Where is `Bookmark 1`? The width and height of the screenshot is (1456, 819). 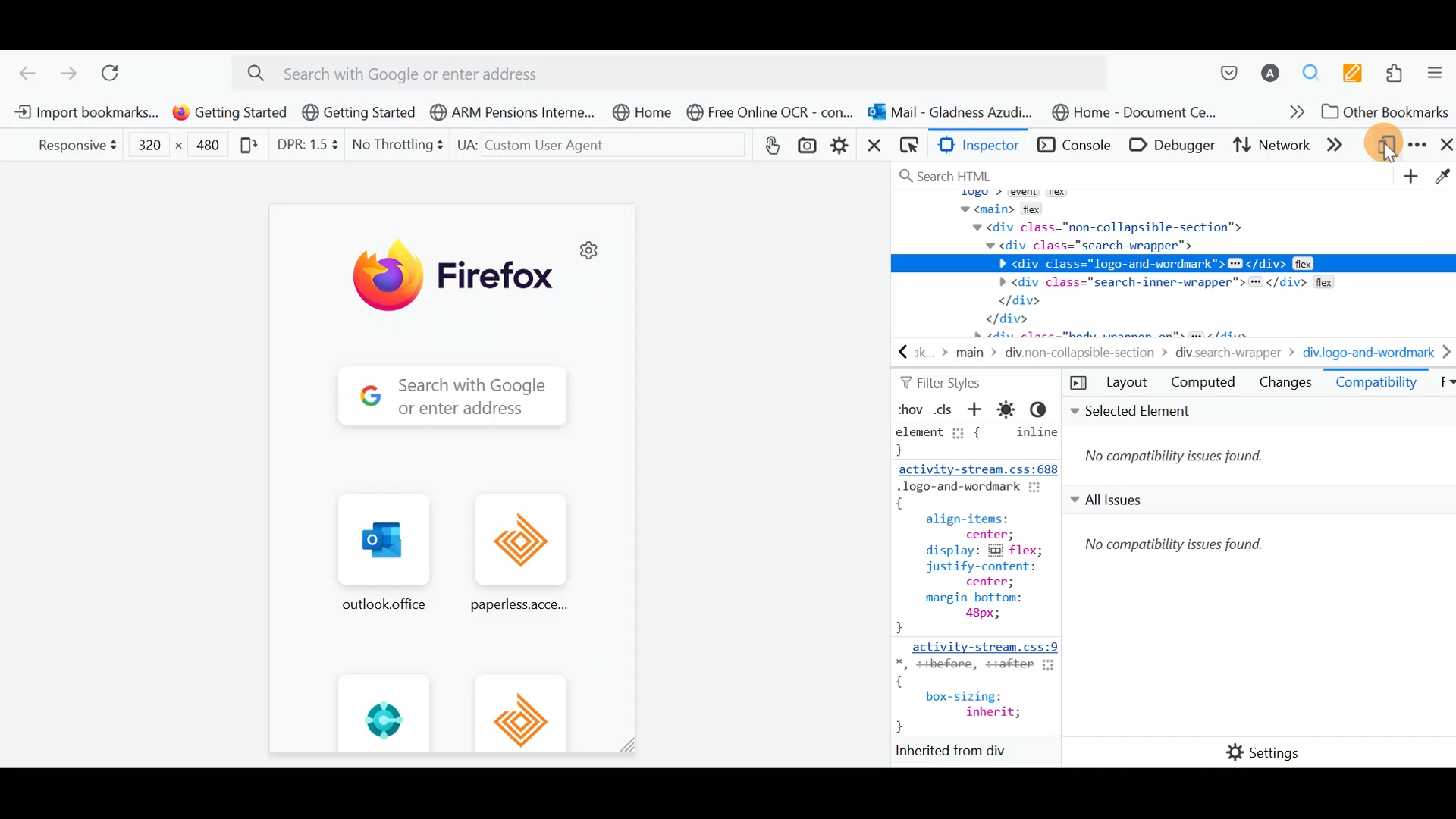
Bookmark 1 is located at coordinates (86, 114).